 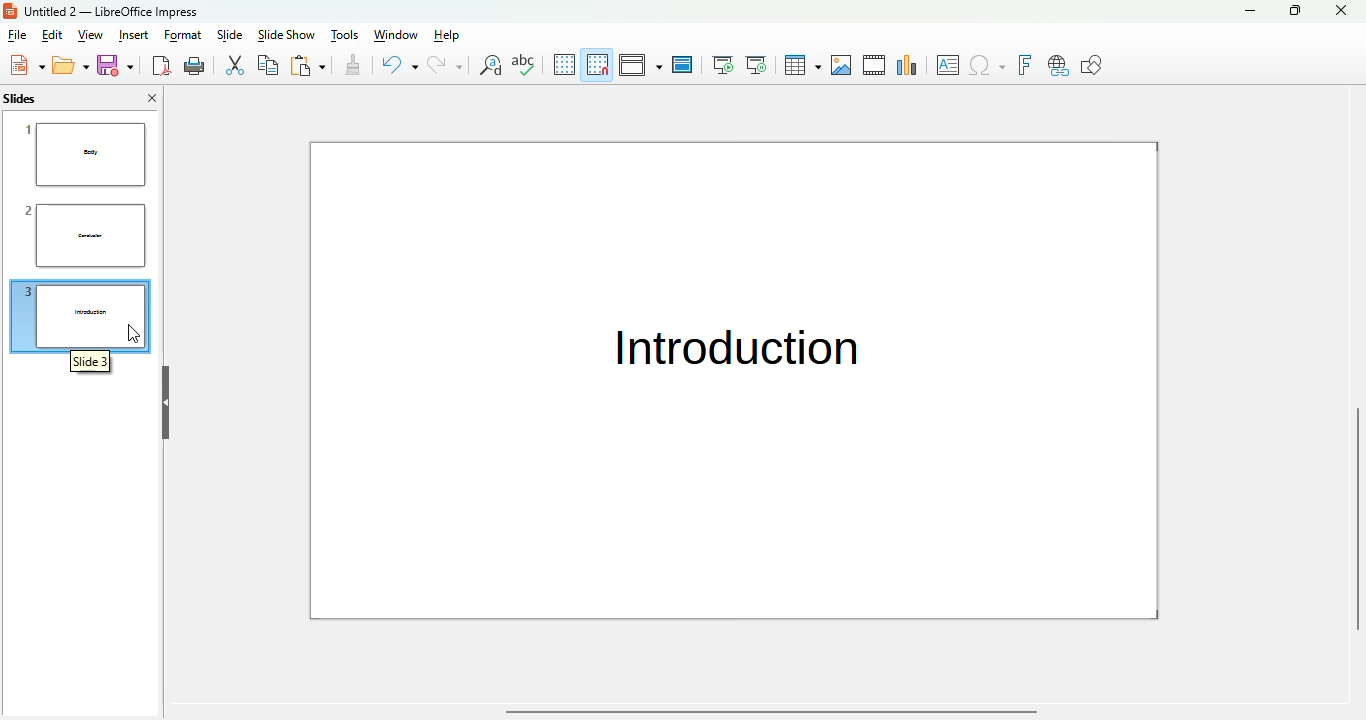 I want to click on hide, so click(x=165, y=403).